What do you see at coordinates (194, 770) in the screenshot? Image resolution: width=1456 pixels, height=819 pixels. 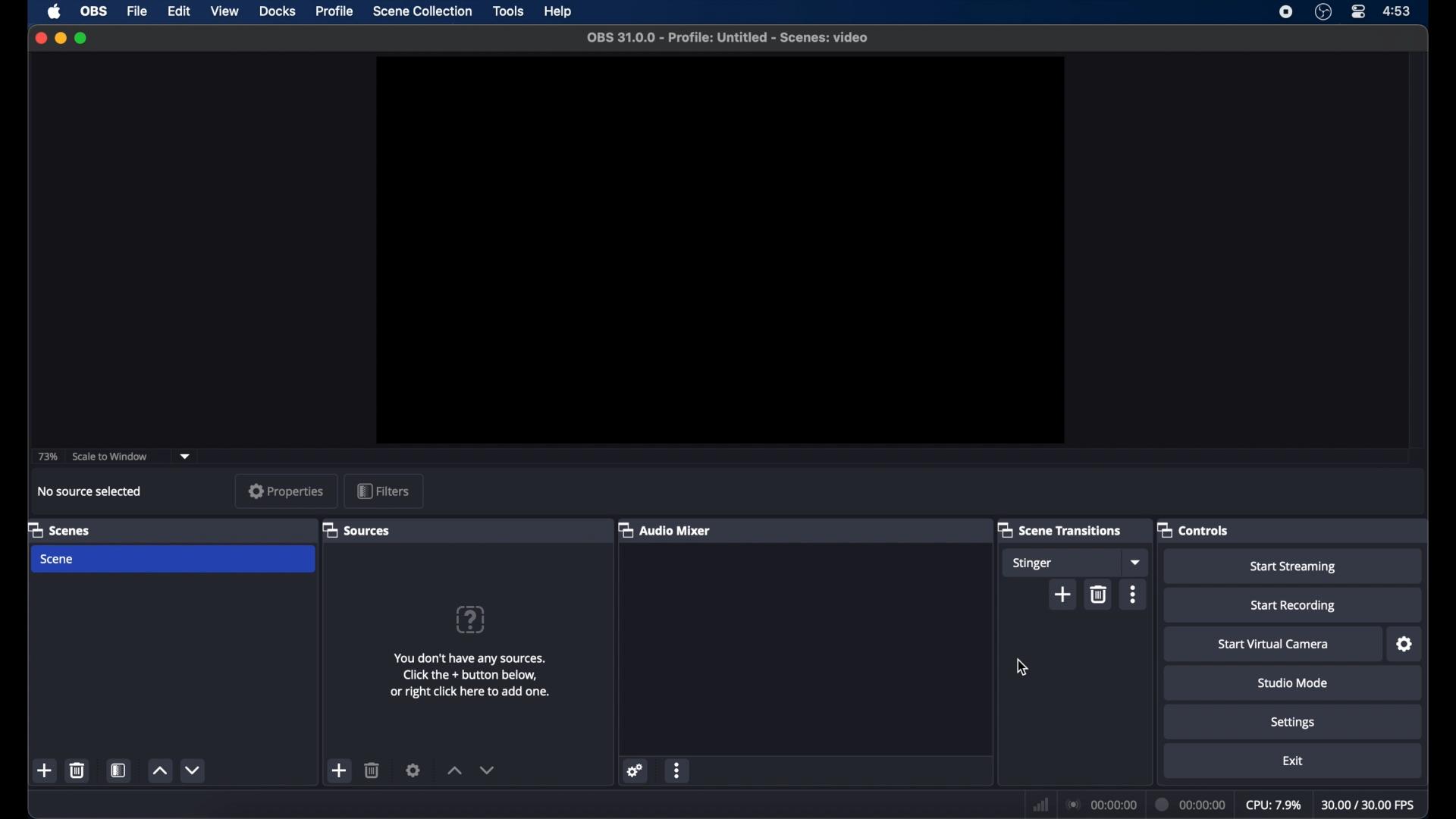 I see `decrement` at bounding box center [194, 770].